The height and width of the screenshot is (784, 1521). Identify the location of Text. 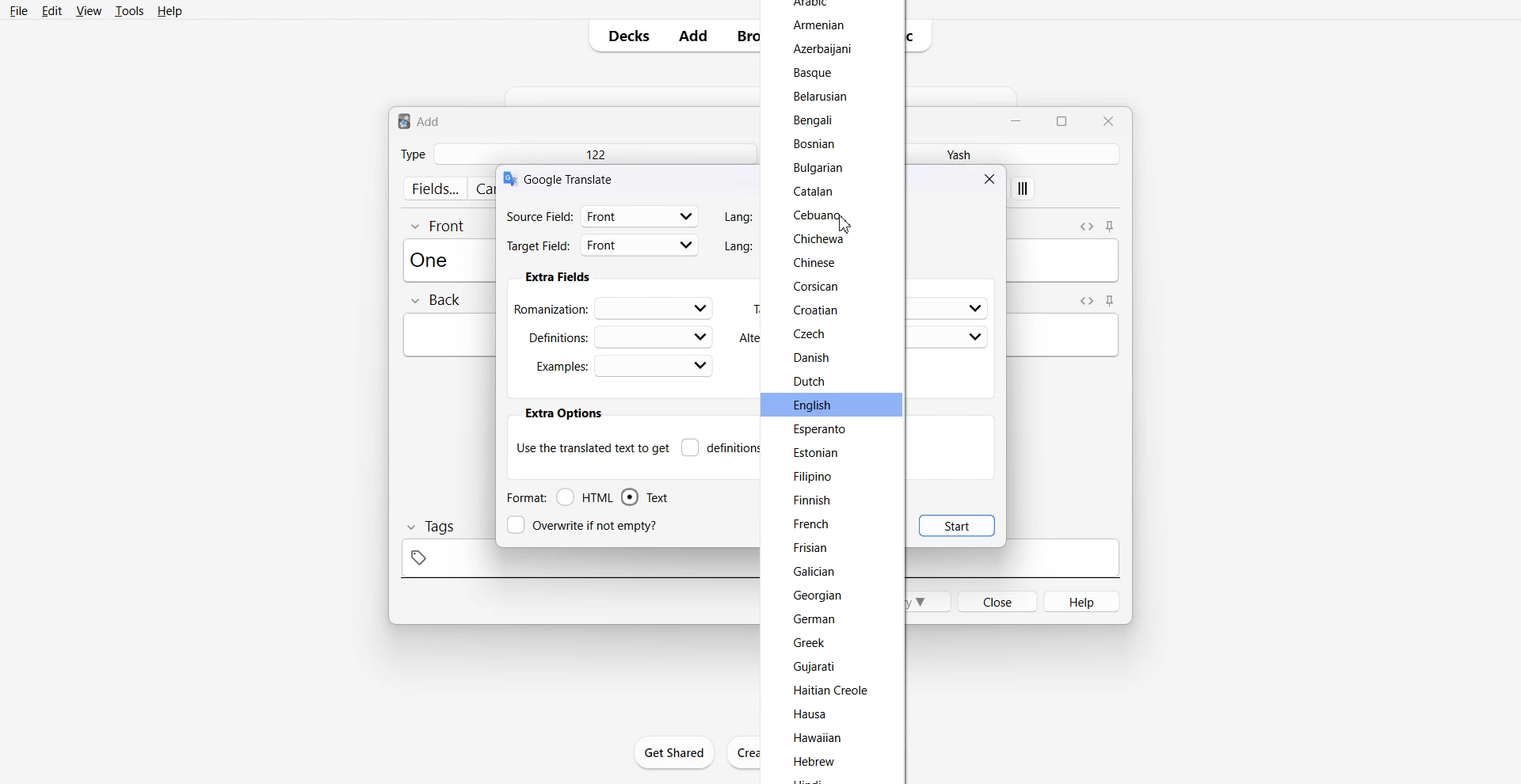
(645, 497).